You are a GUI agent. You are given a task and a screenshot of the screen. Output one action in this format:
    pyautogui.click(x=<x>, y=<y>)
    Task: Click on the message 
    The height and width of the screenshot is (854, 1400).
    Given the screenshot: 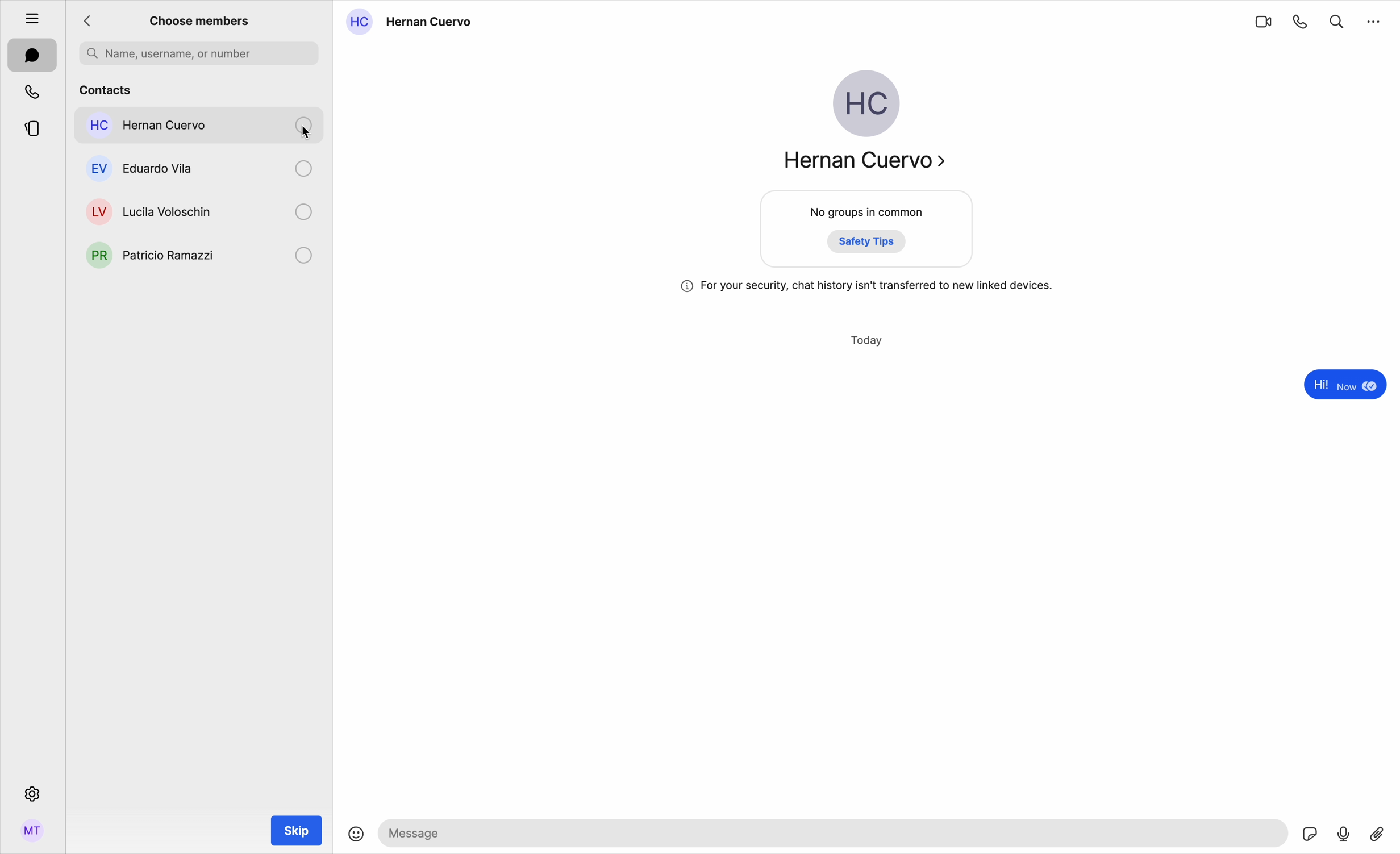 What is the action you would take?
    pyautogui.click(x=1342, y=386)
    